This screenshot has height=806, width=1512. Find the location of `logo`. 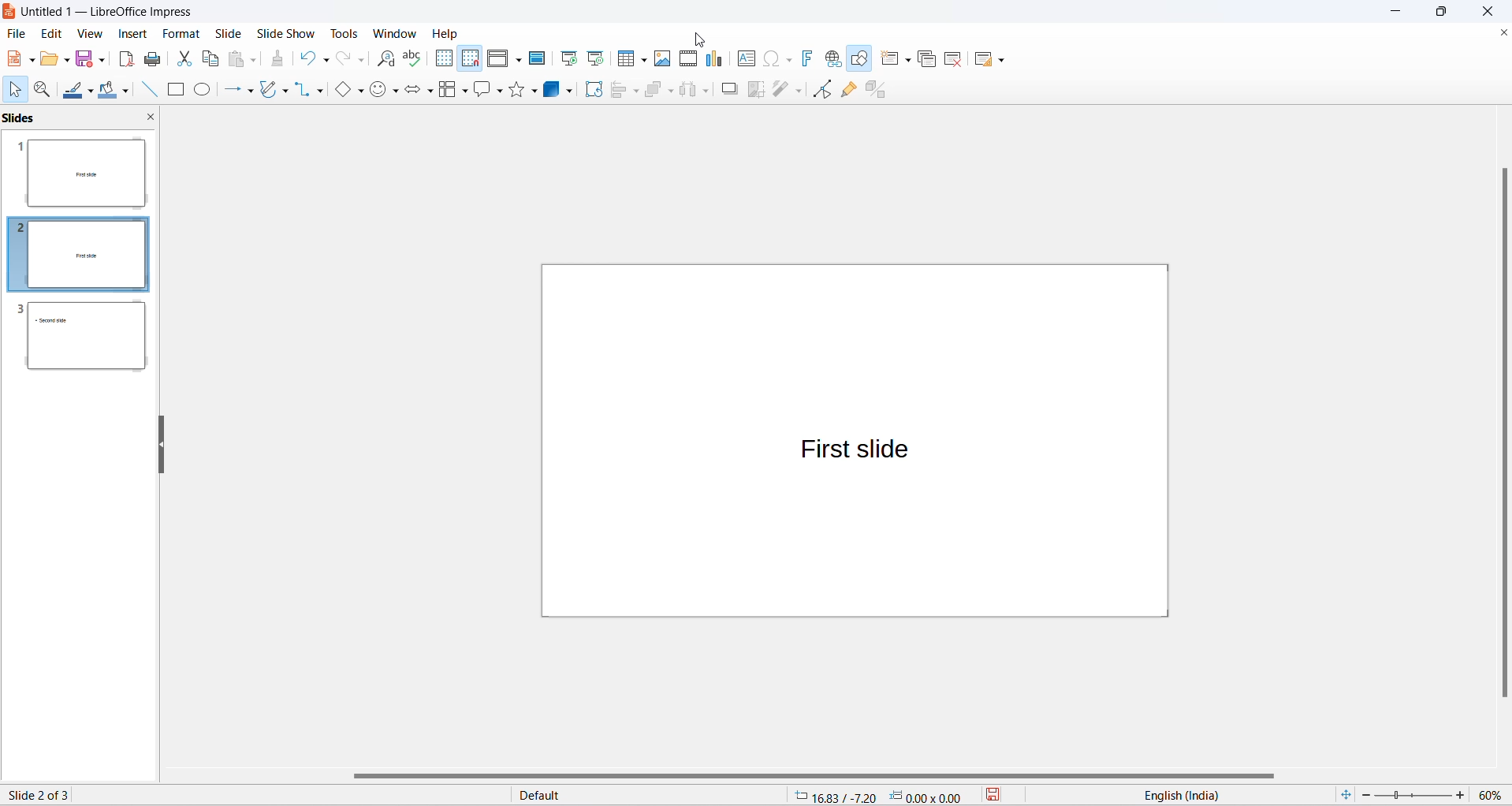

logo is located at coordinates (9, 12).